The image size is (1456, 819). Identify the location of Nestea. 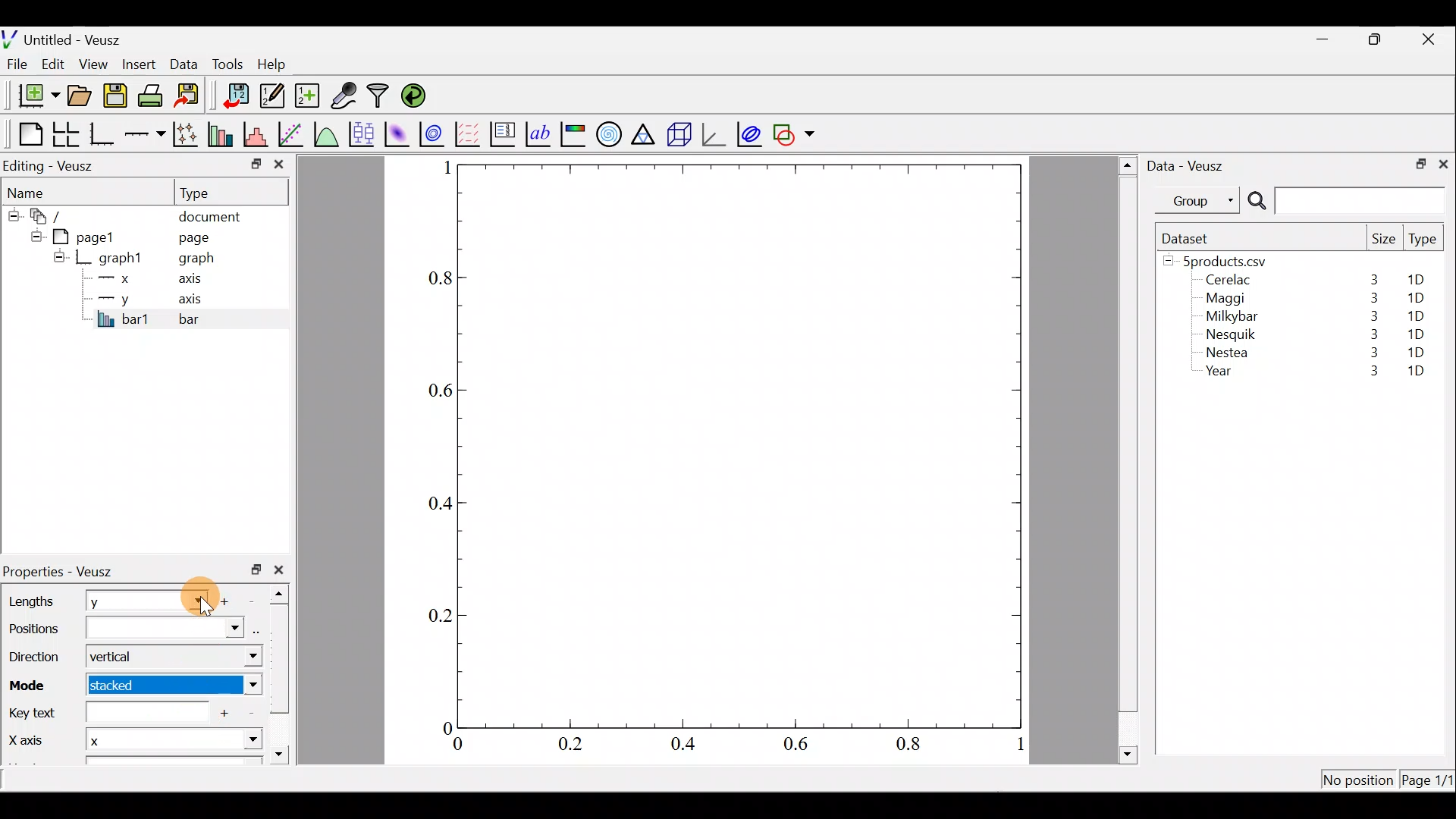
(1228, 353).